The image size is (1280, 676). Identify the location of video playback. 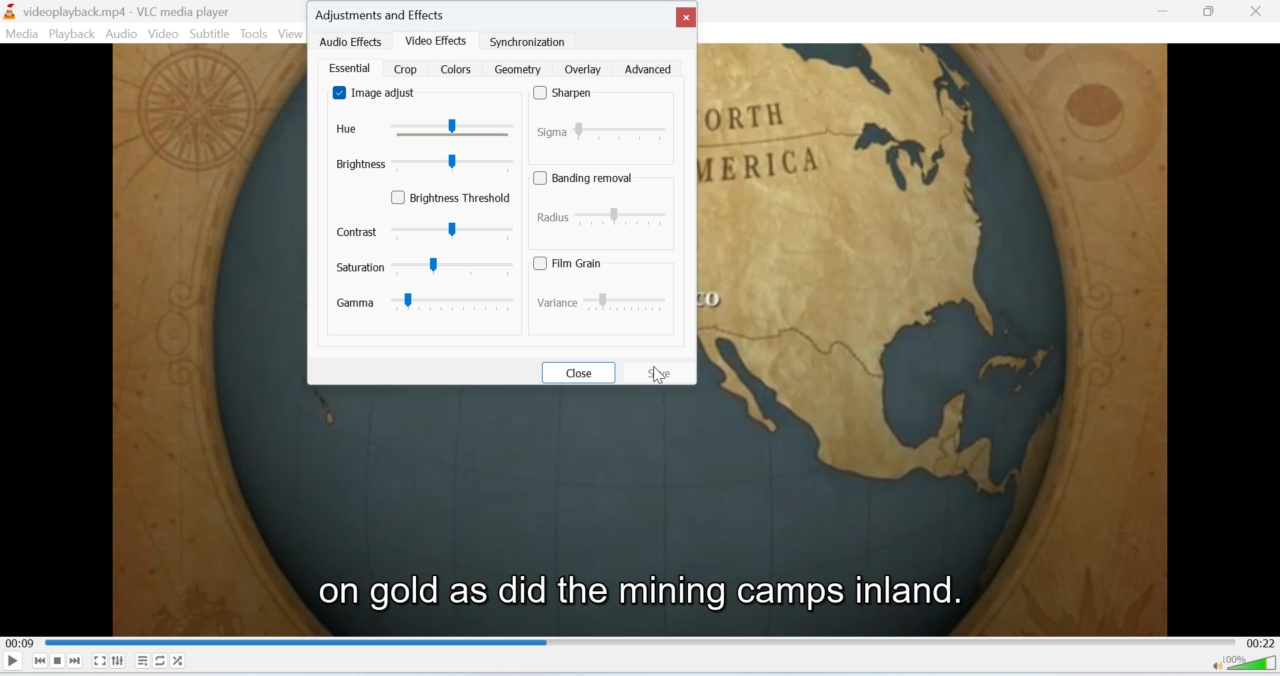
(639, 510).